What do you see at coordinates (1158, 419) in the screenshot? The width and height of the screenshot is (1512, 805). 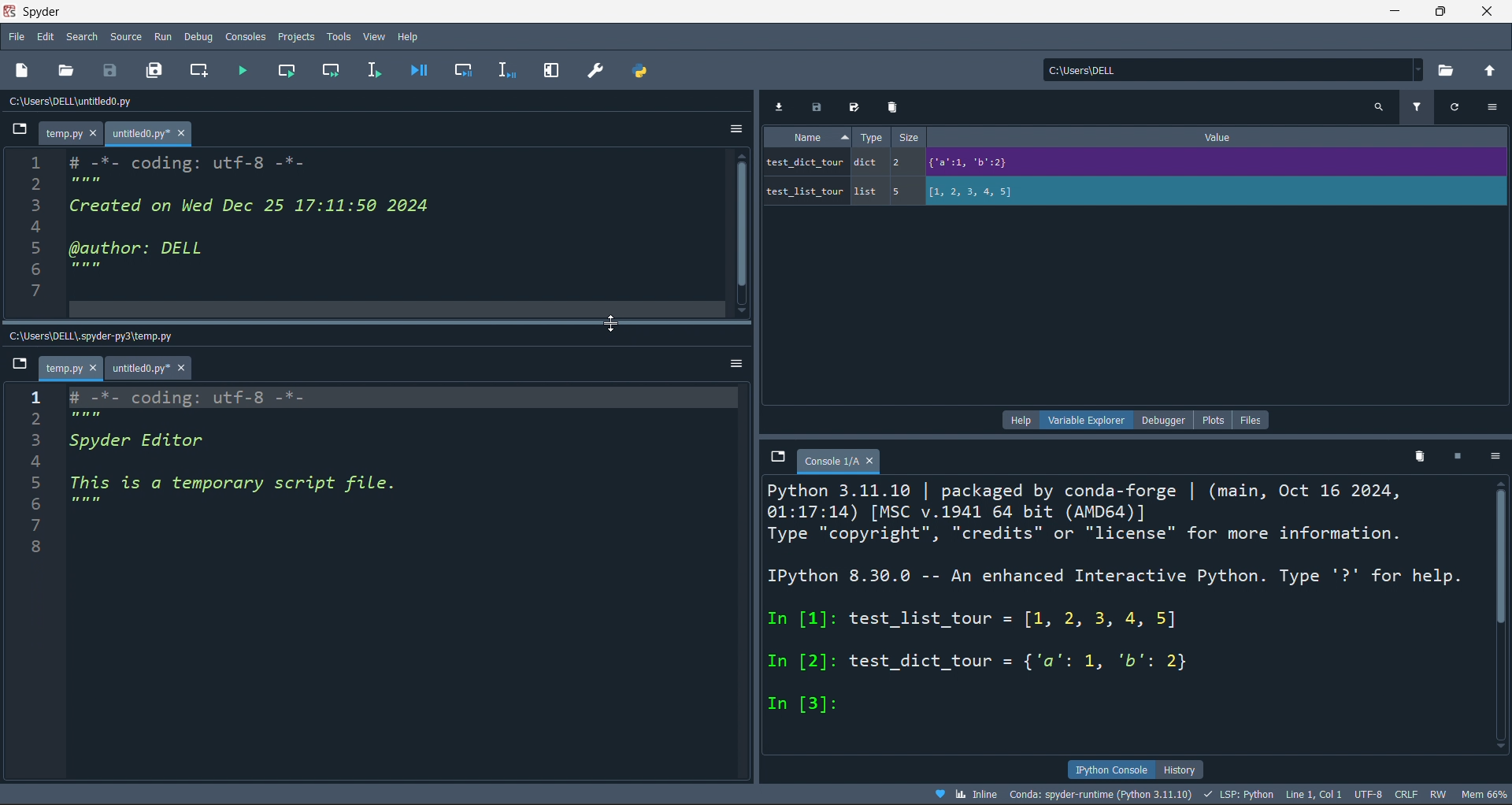 I see `debugger` at bounding box center [1158, 419].